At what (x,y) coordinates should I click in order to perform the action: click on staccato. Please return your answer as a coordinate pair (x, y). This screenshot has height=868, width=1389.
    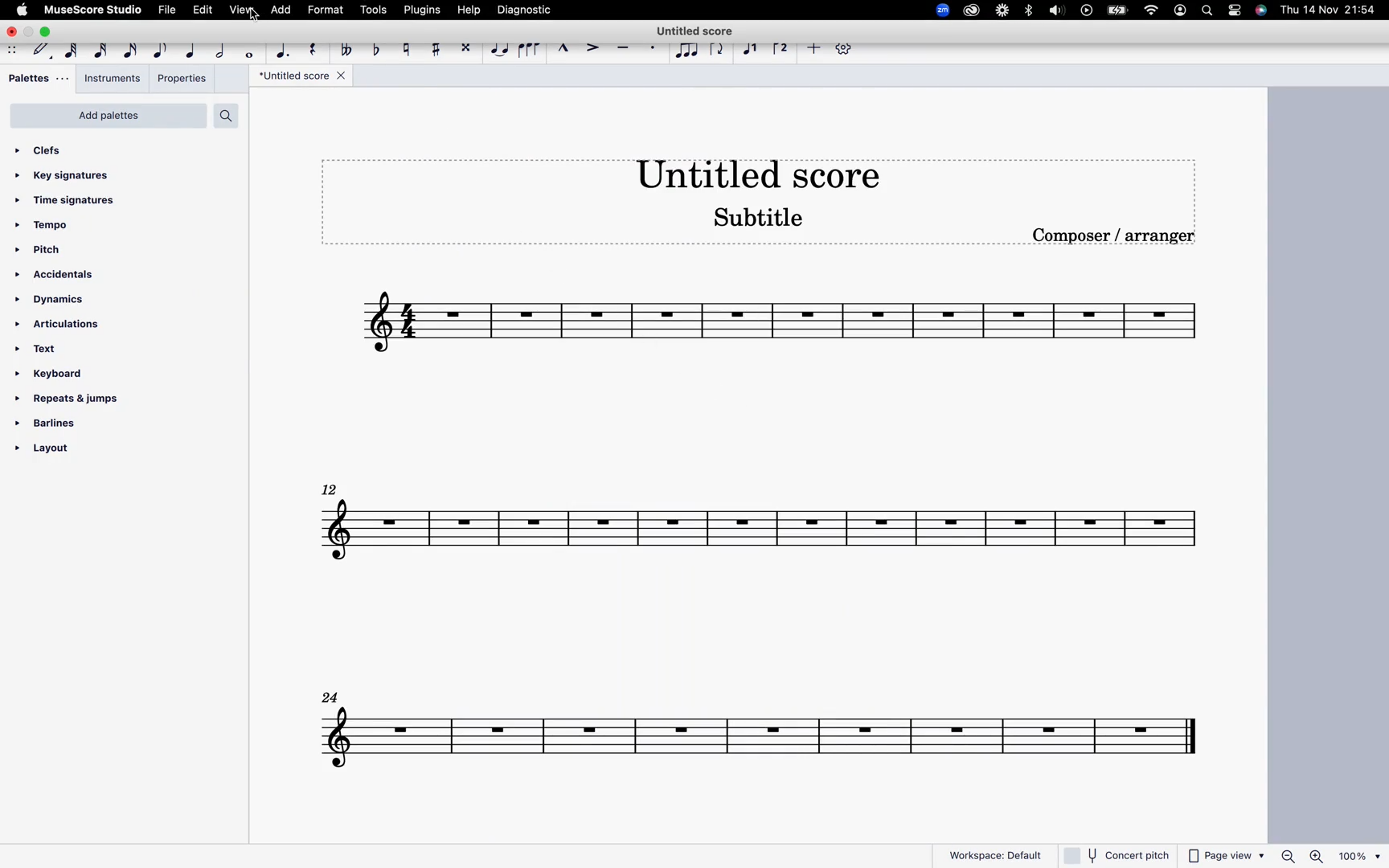
    Looking at the image, I should click on (649, 51).